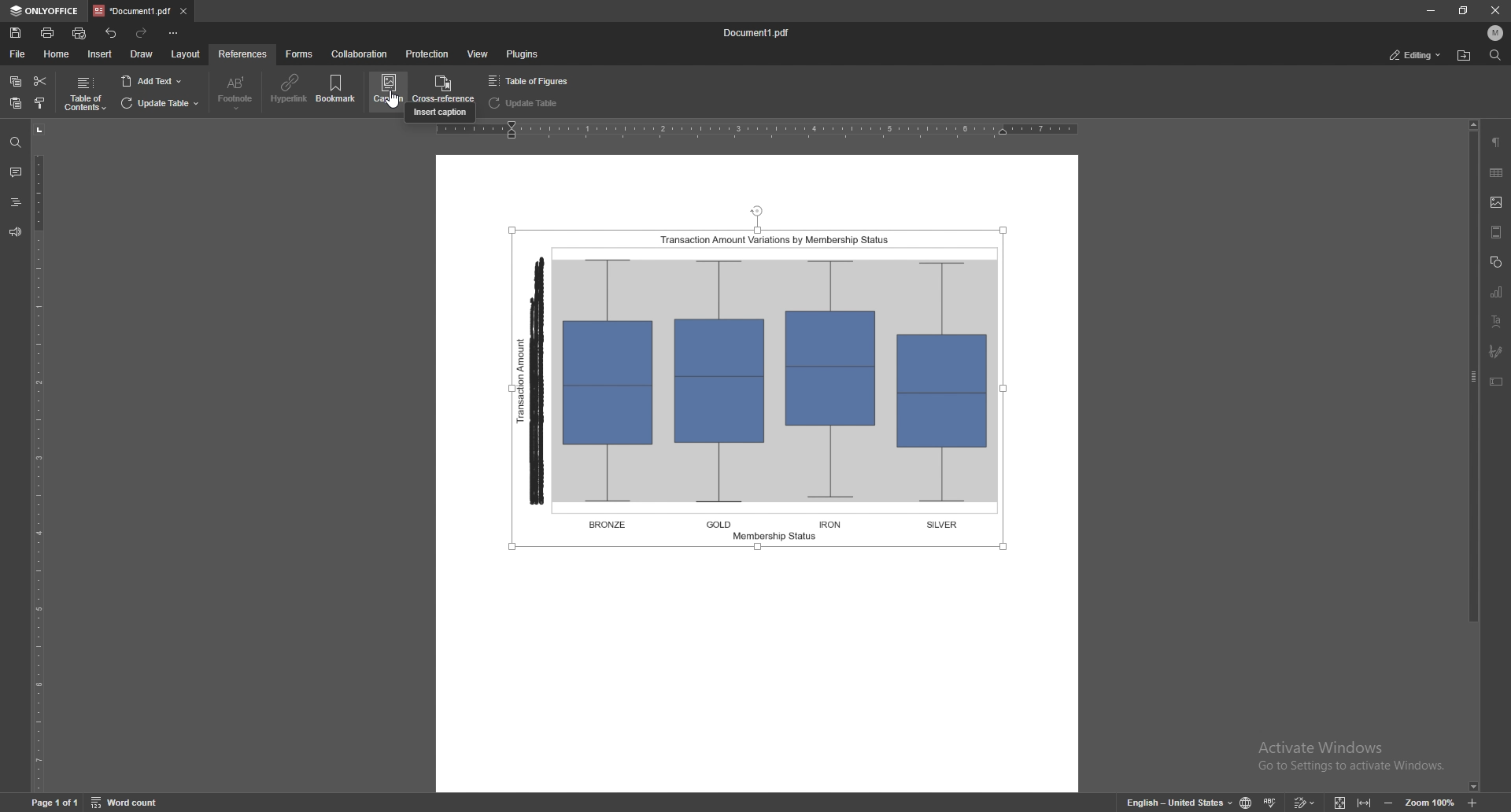 Image resolution: width=1511 pixels, height=812 pixels. I want to click on minimize, so click(1430, 11).